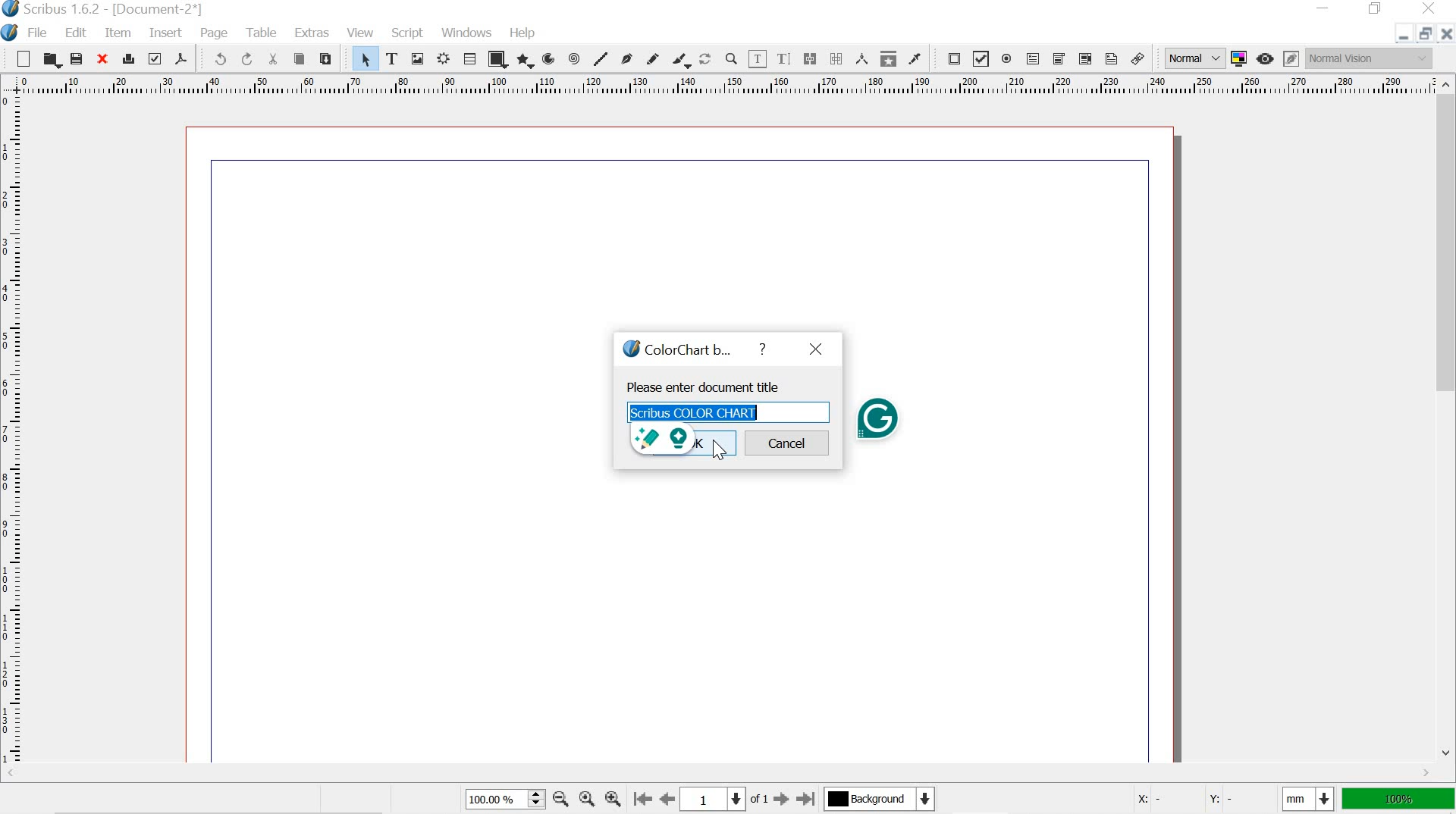 The width and height of the screenshot is (1456, 814). I want to click on insert, so click(165, 33).